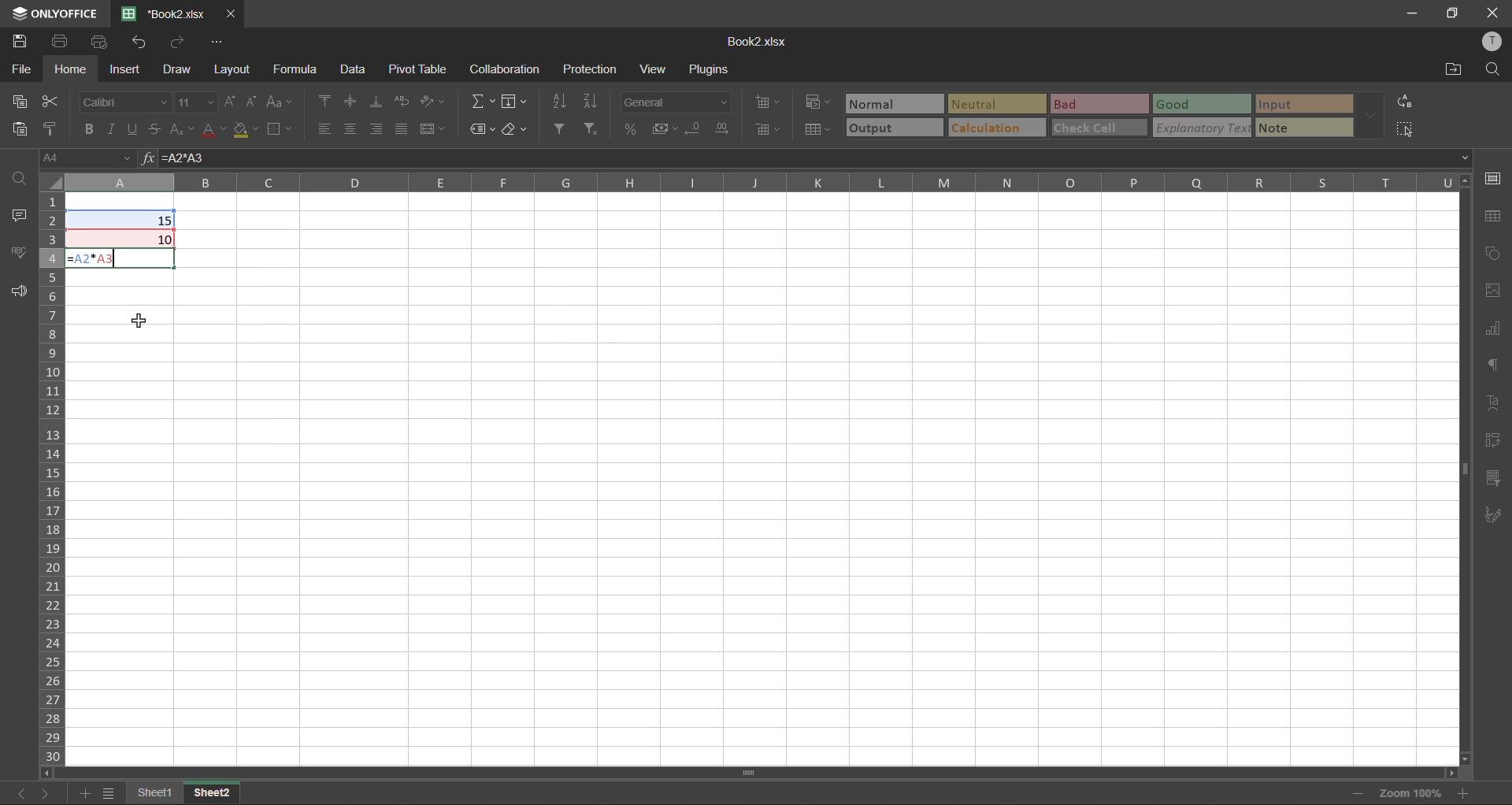 This screenshot has height=805, width=1512. I want to click on layout, so click(232, 71).